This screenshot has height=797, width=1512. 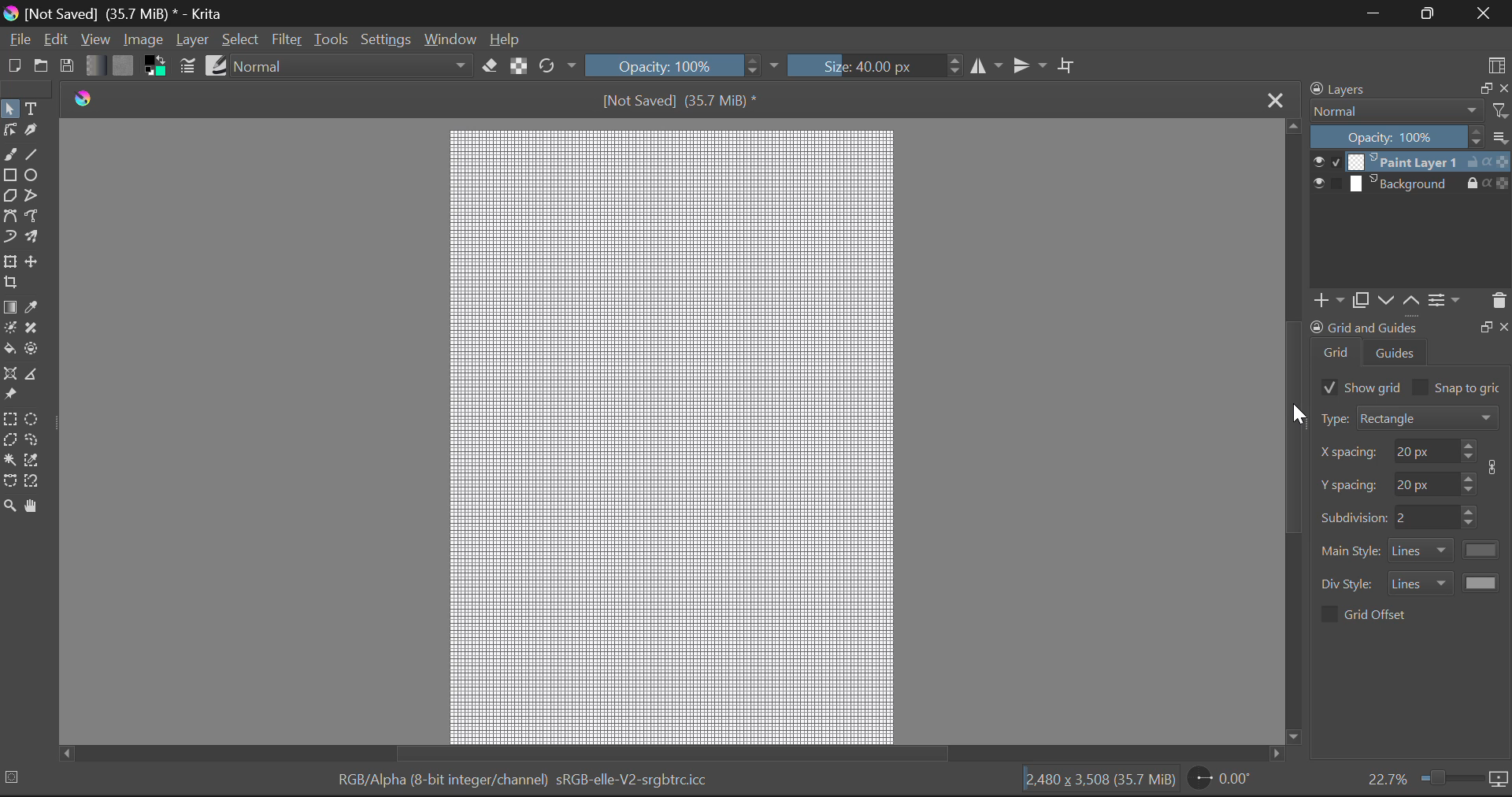 I want to click on Krita Logo, so click(x=84, y=98).